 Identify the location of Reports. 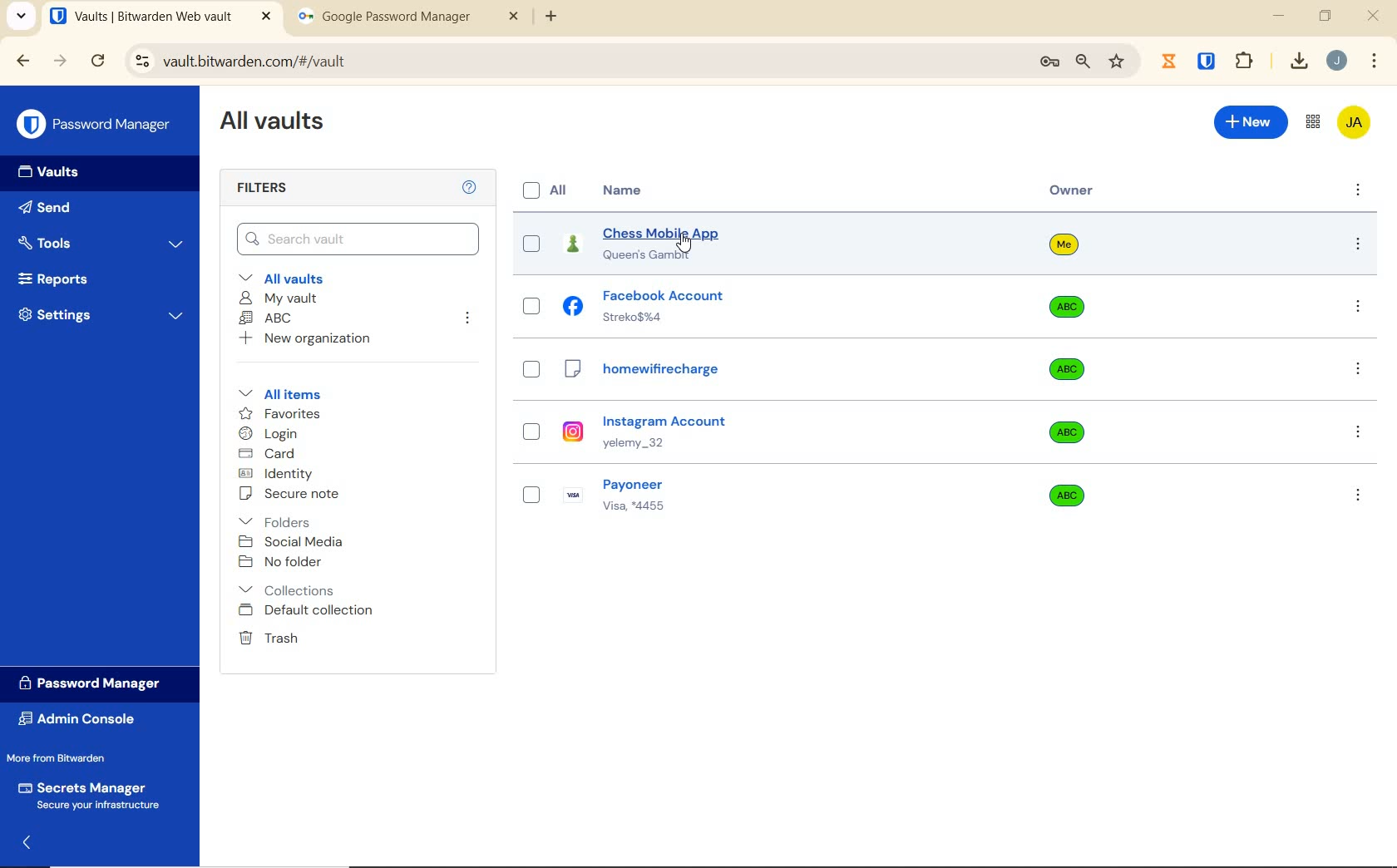
(71, 280).